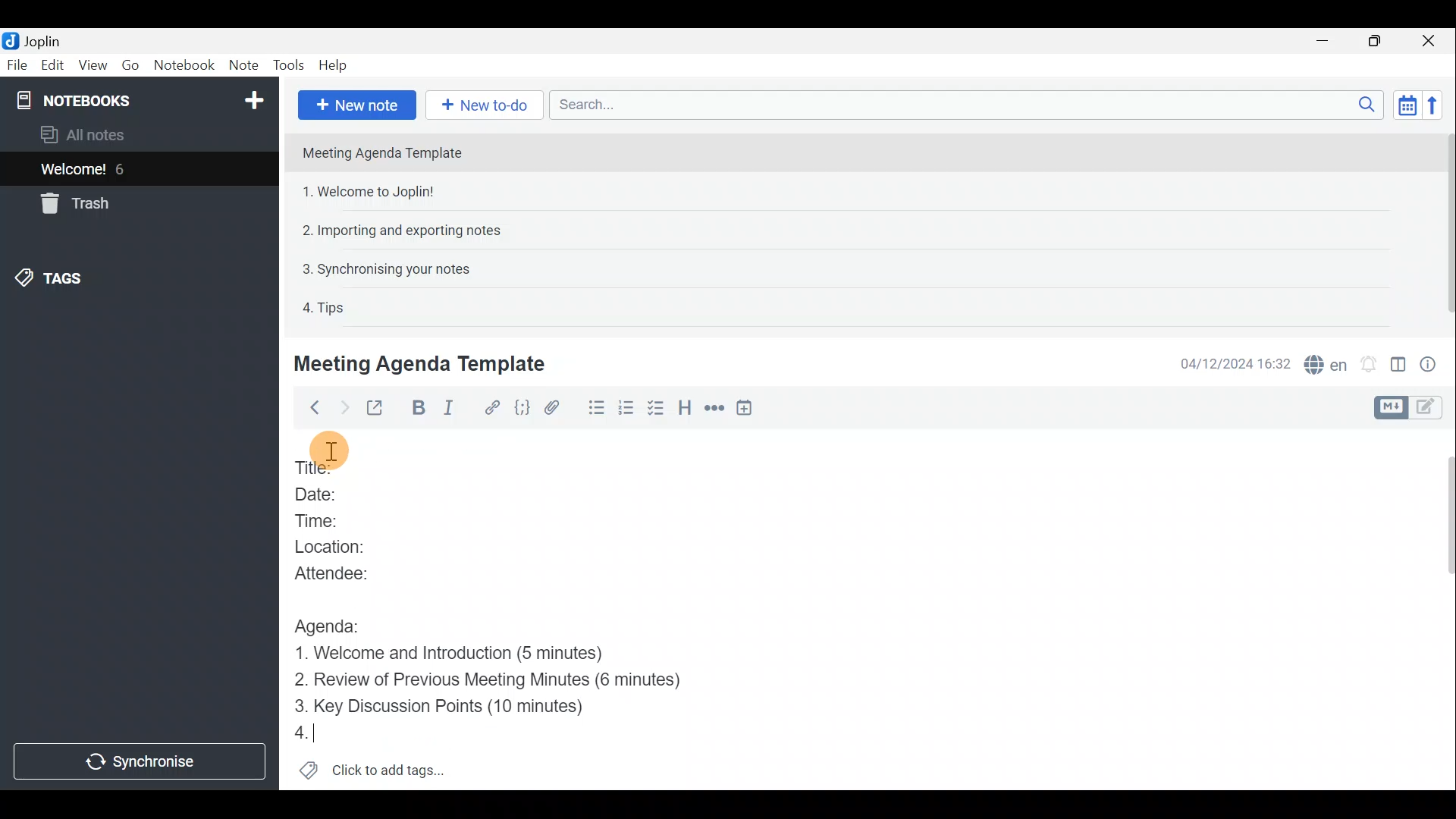 Image resolution: width=1456 pixels, height=819 pixels. I want to click on Numbered list, so click(626, 410).